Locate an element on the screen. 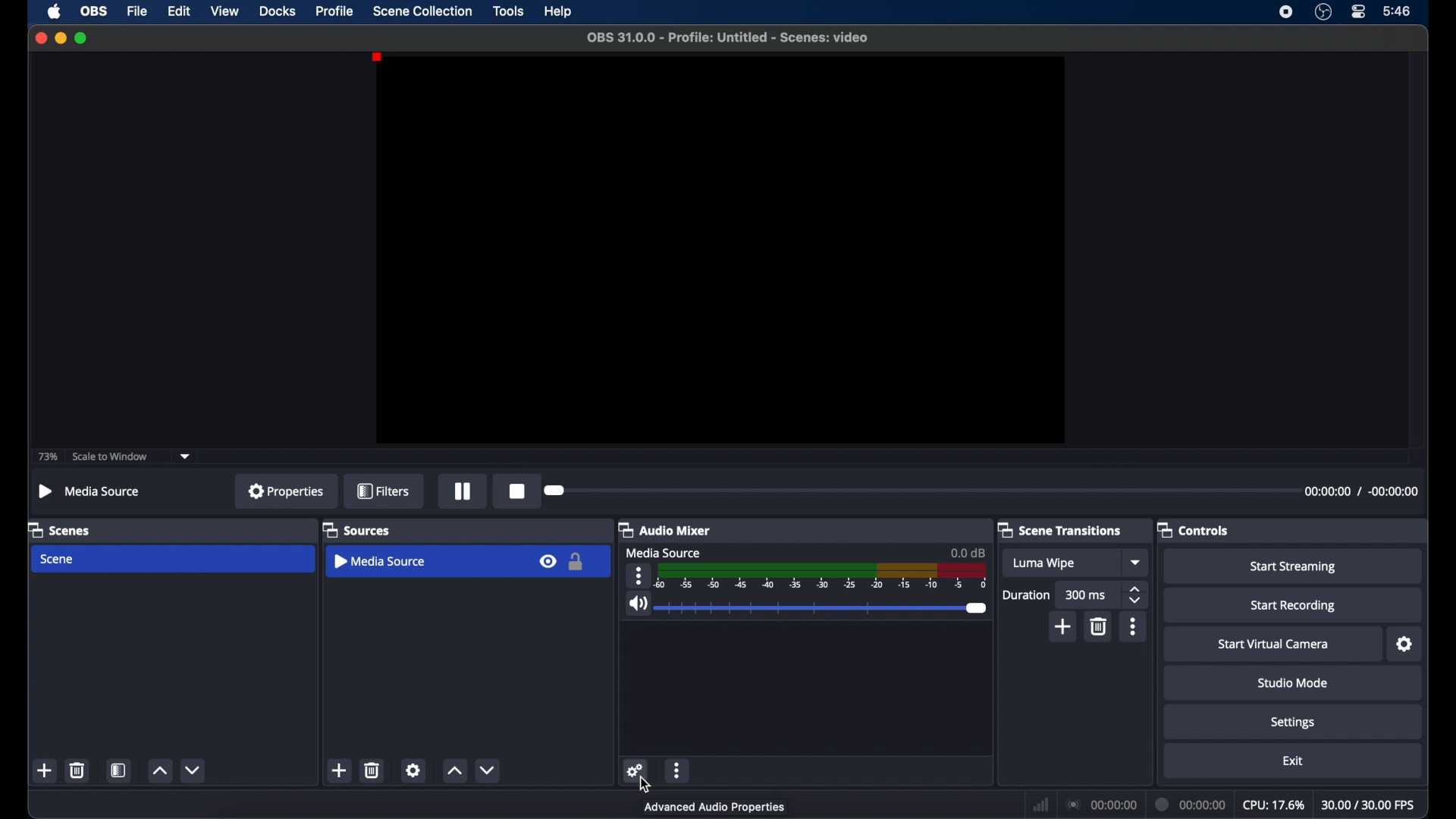 Image resolution: width=1456 pixels, height=819 pixels. scene is located at coordinates (58, 560).